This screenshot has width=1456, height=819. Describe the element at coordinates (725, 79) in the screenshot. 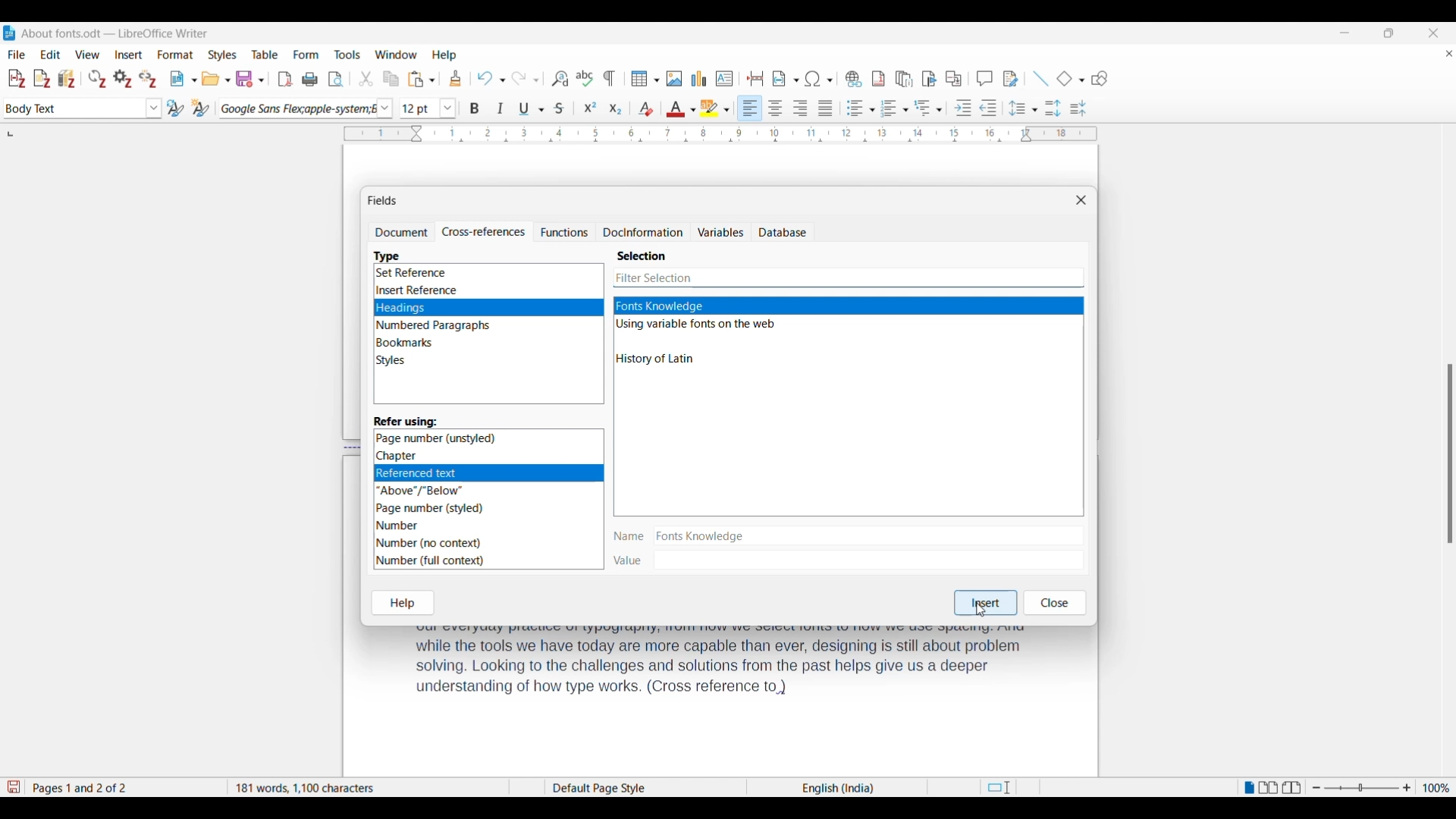

I see `Insert text box` at that location.